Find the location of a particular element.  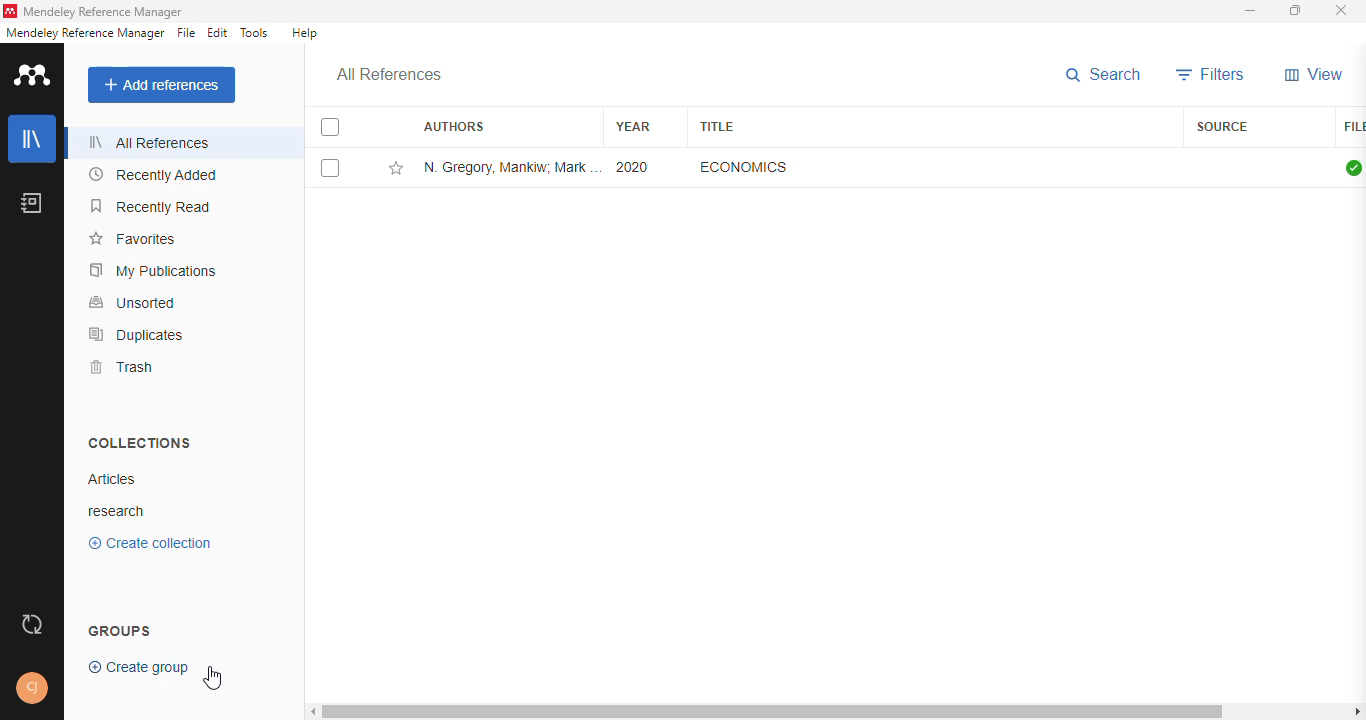

2020 is located at coordinates (633, 167).